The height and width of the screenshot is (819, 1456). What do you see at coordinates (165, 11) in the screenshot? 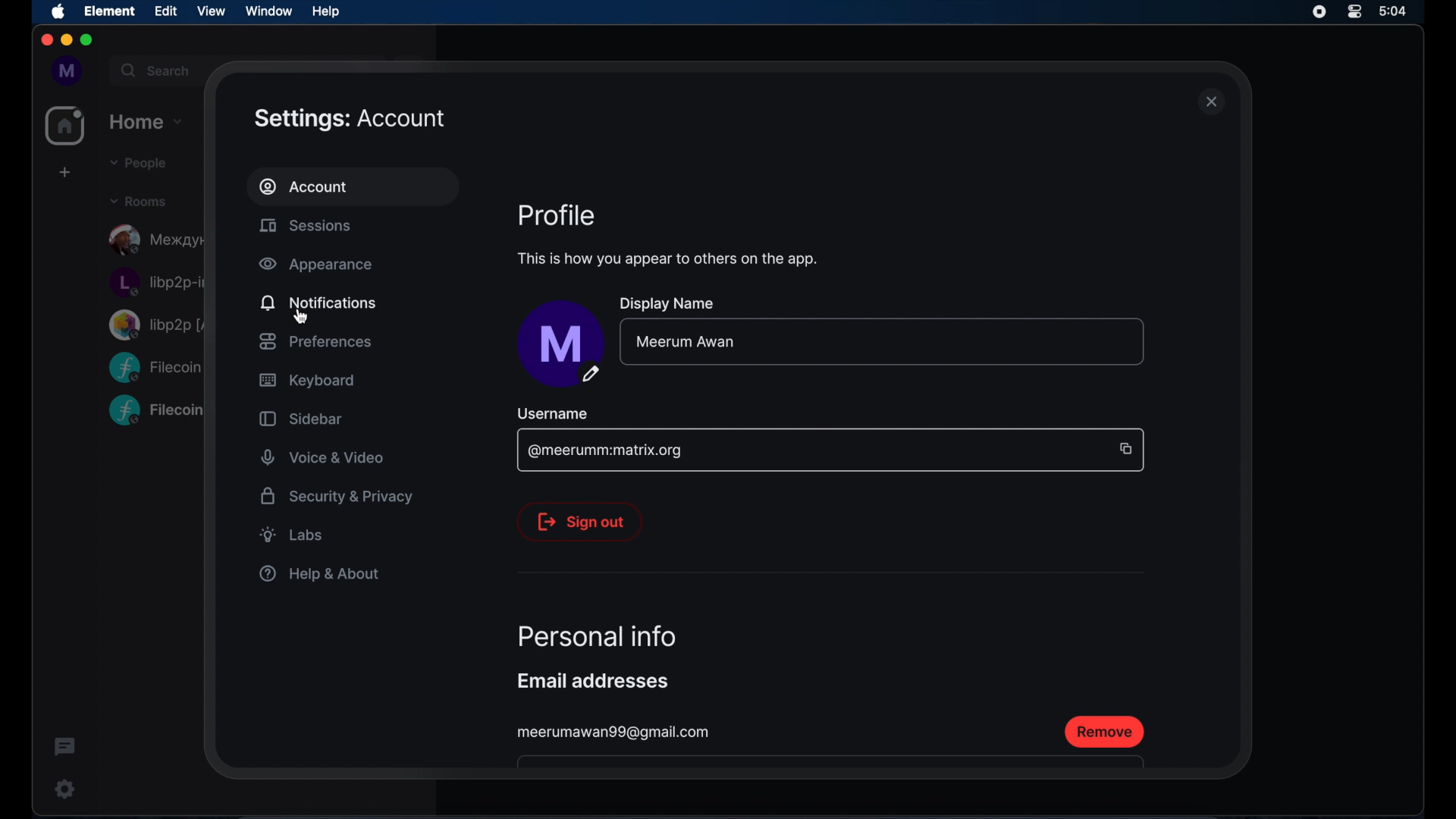
I see `edit` at bounding box center [165, 11].